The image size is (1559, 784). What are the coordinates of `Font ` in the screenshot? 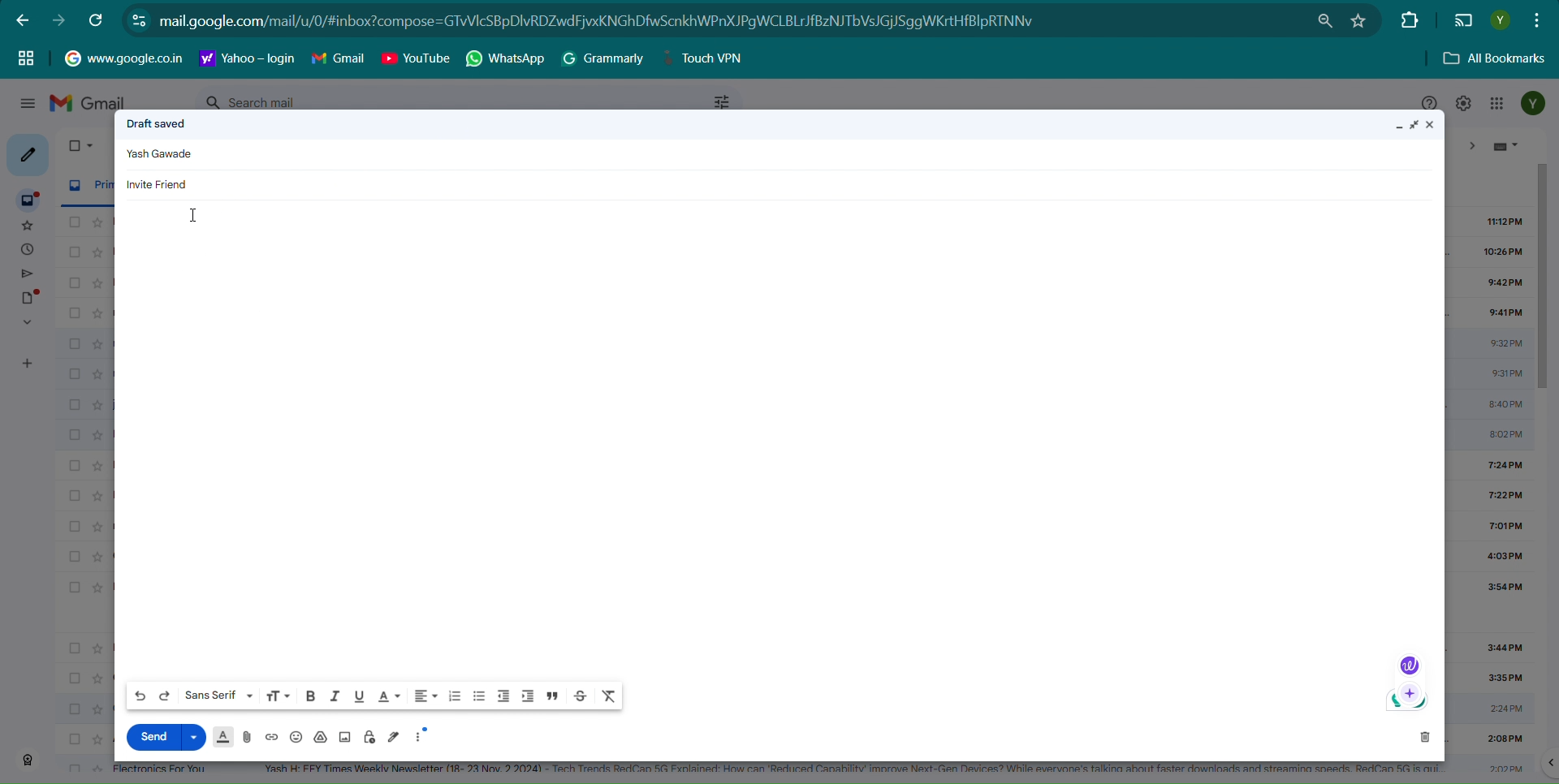 It's located at (219, 695).